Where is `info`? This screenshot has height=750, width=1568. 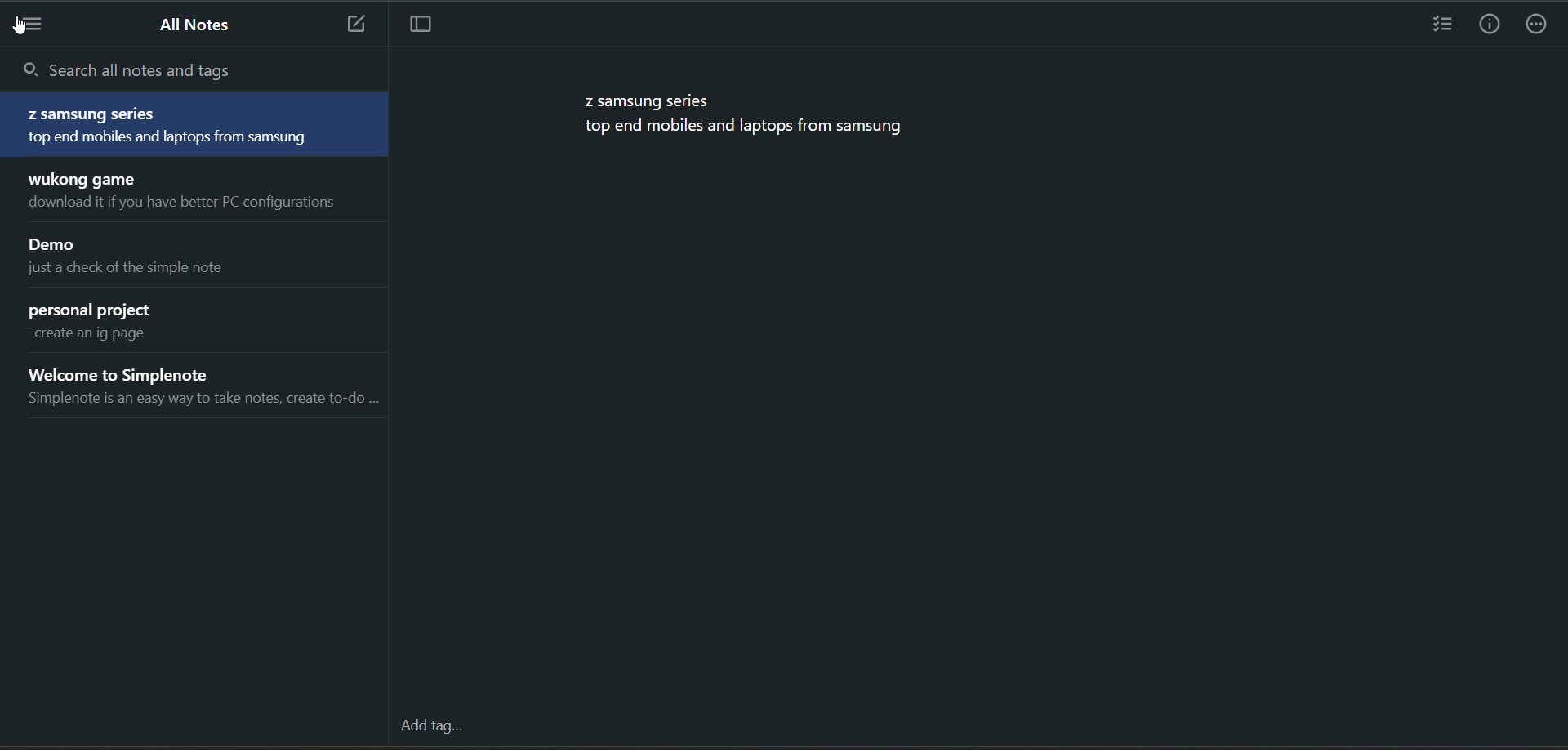 info is located at coordinates (1490, 25).